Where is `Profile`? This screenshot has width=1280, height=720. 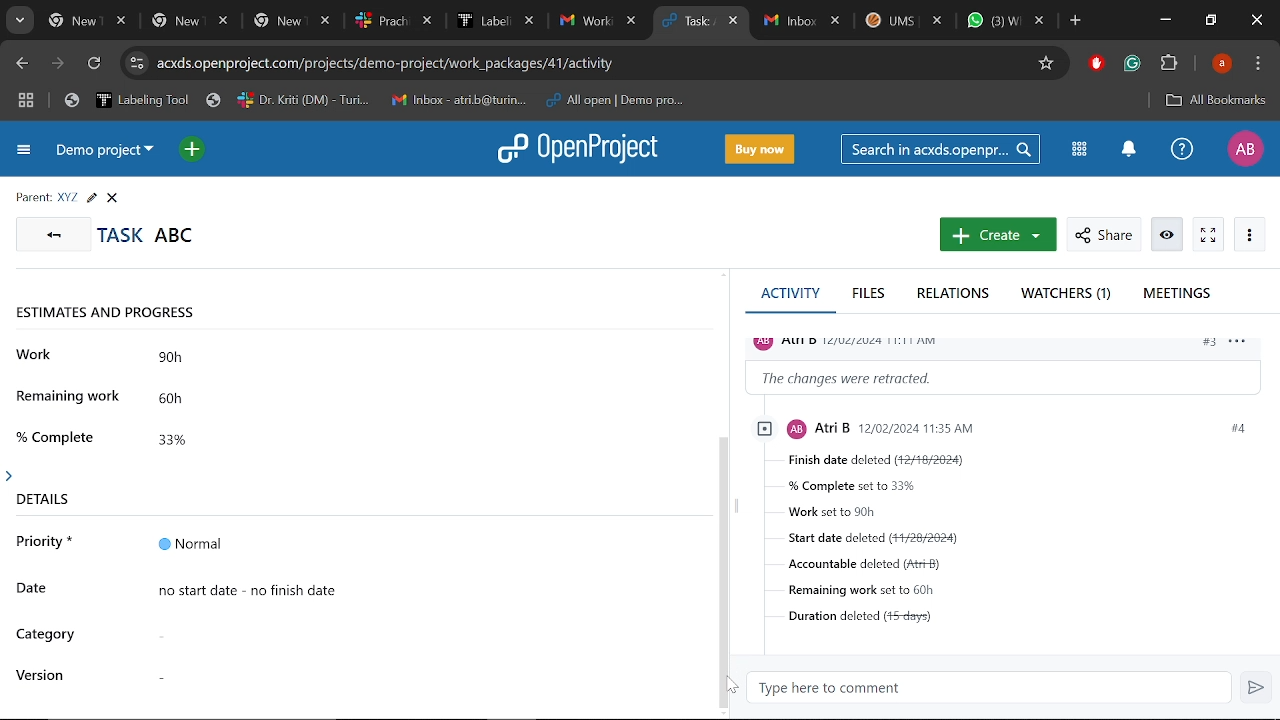 Profile is located at coordinates (1224, 63).